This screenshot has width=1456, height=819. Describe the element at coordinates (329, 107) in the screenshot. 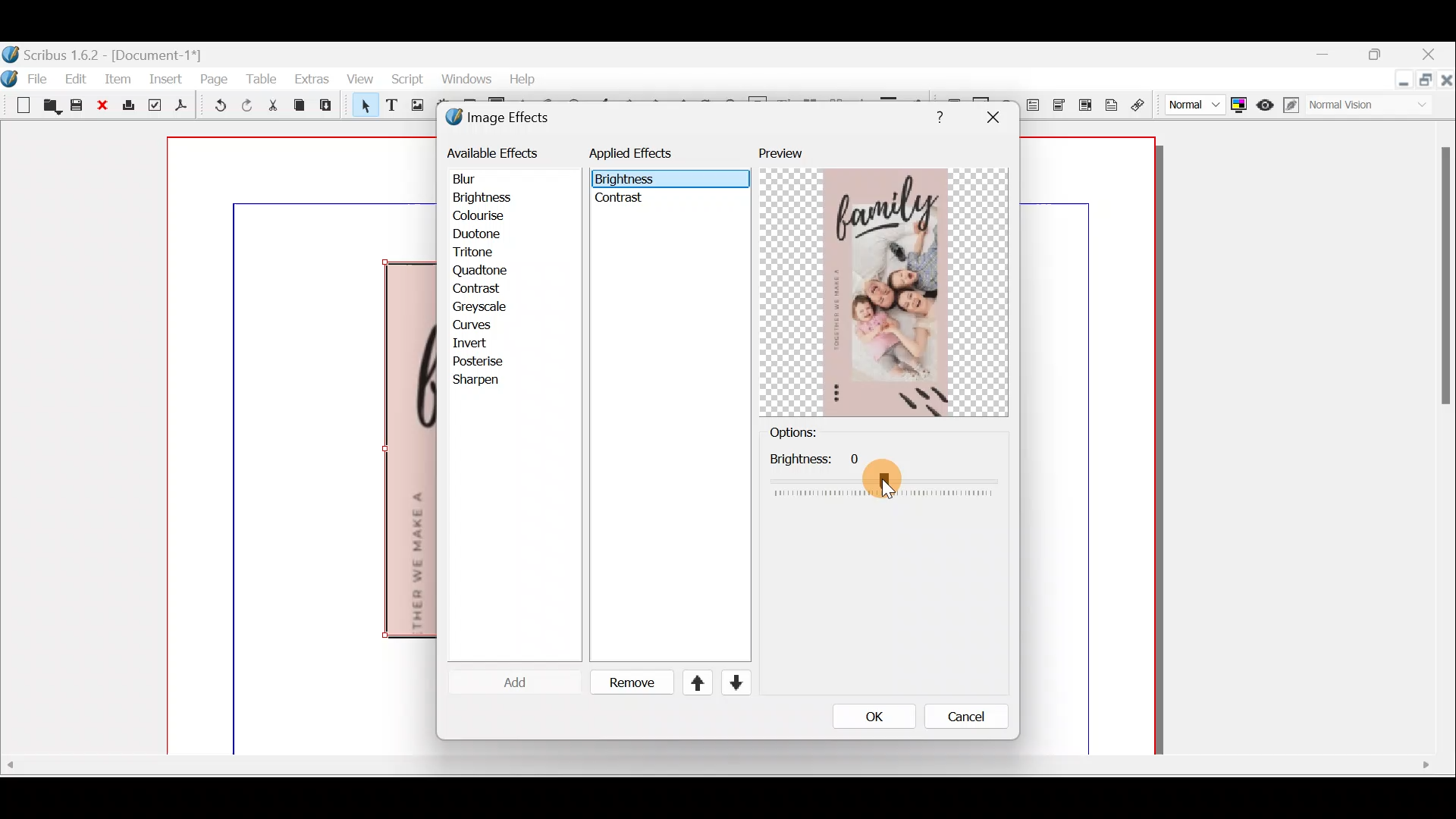

I see `Paste` at that location.